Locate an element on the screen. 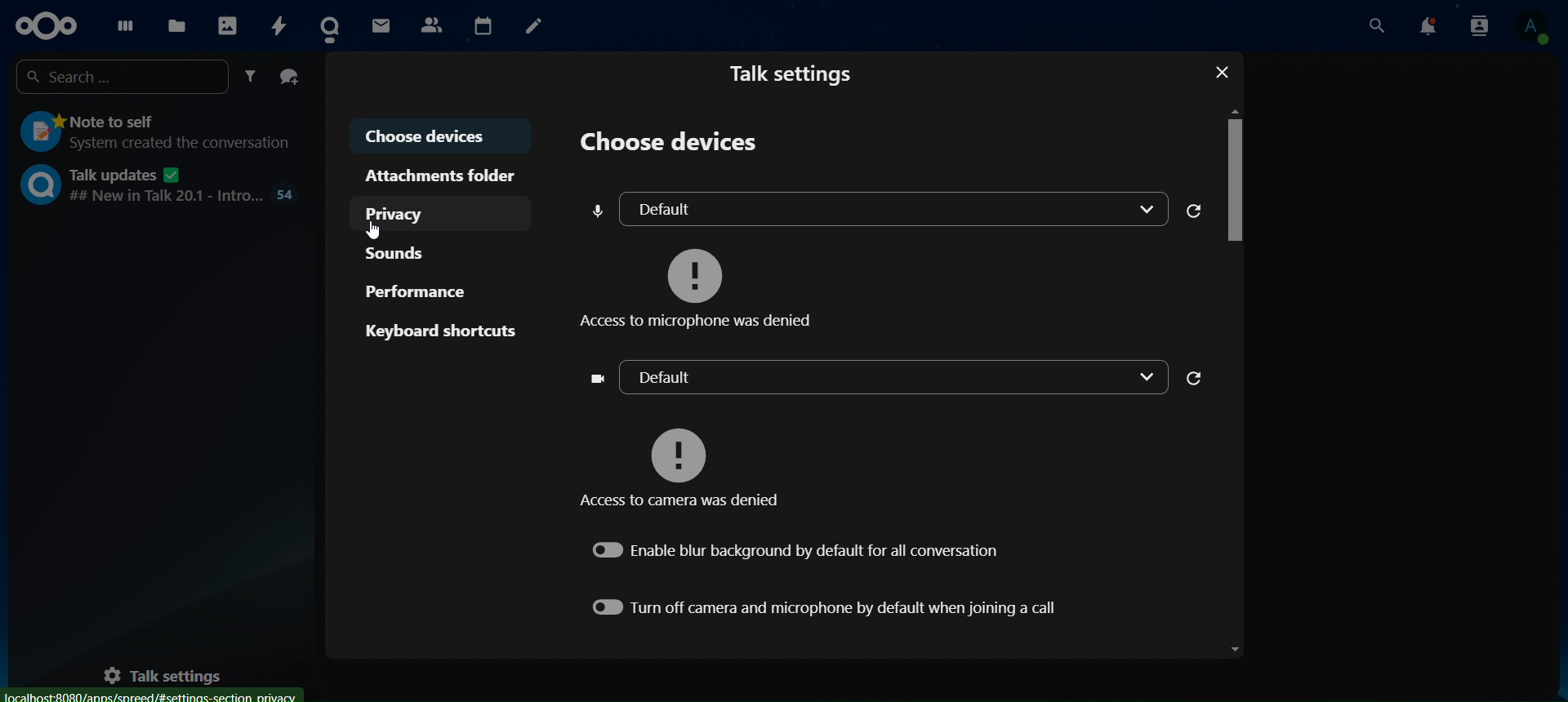 This screenshot has height=702, width=1568. reload is located at coordinates (1196, 212).